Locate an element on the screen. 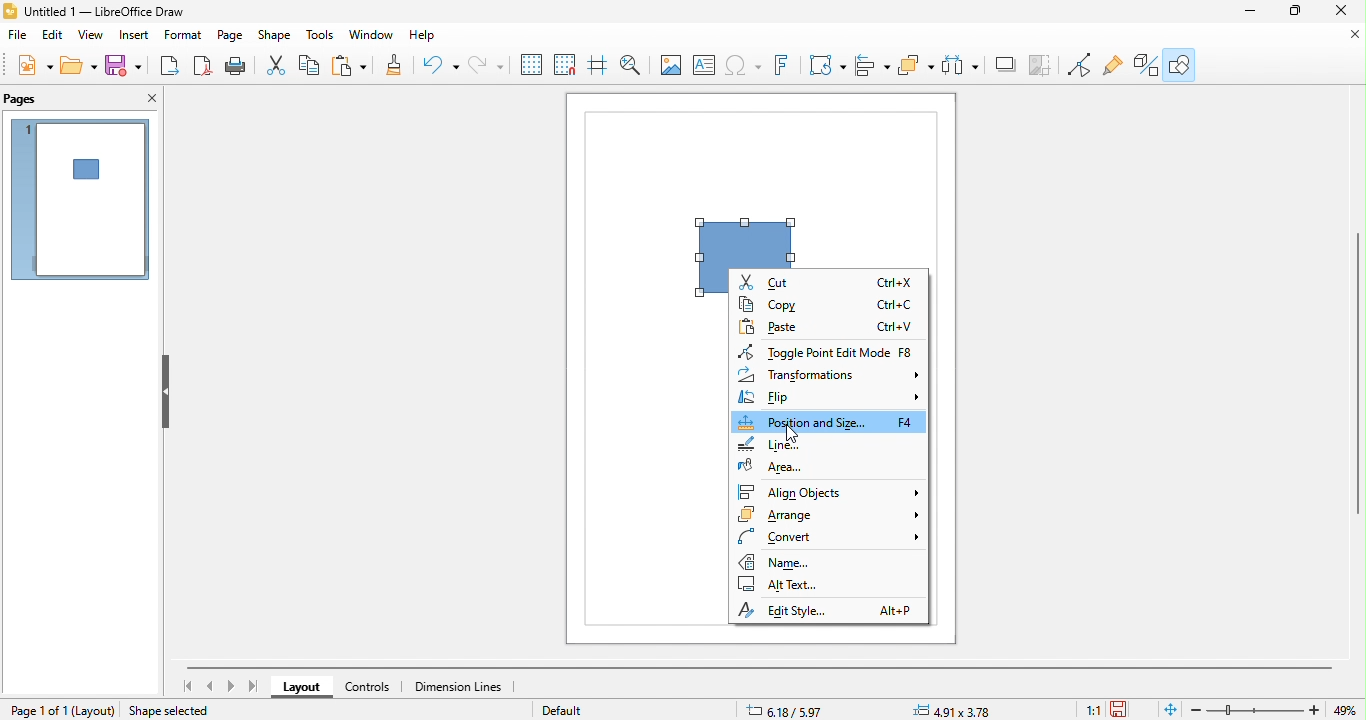 The width and height of the screenshot is (1366, 720). page is located at coordinates (231, 38).